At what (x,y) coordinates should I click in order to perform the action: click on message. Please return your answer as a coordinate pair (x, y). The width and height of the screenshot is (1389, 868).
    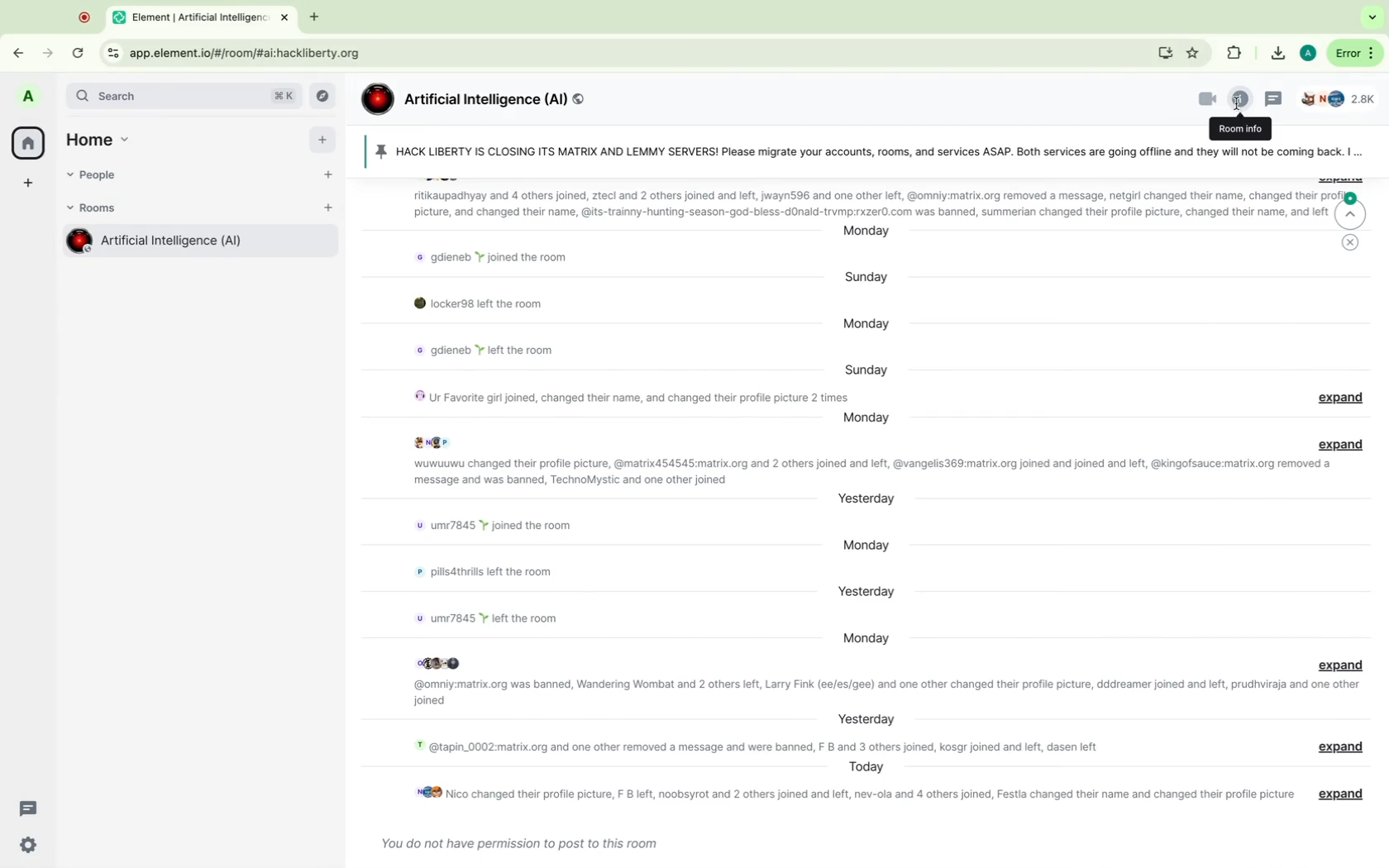
    Looking at the image, I should click on (491, 522).